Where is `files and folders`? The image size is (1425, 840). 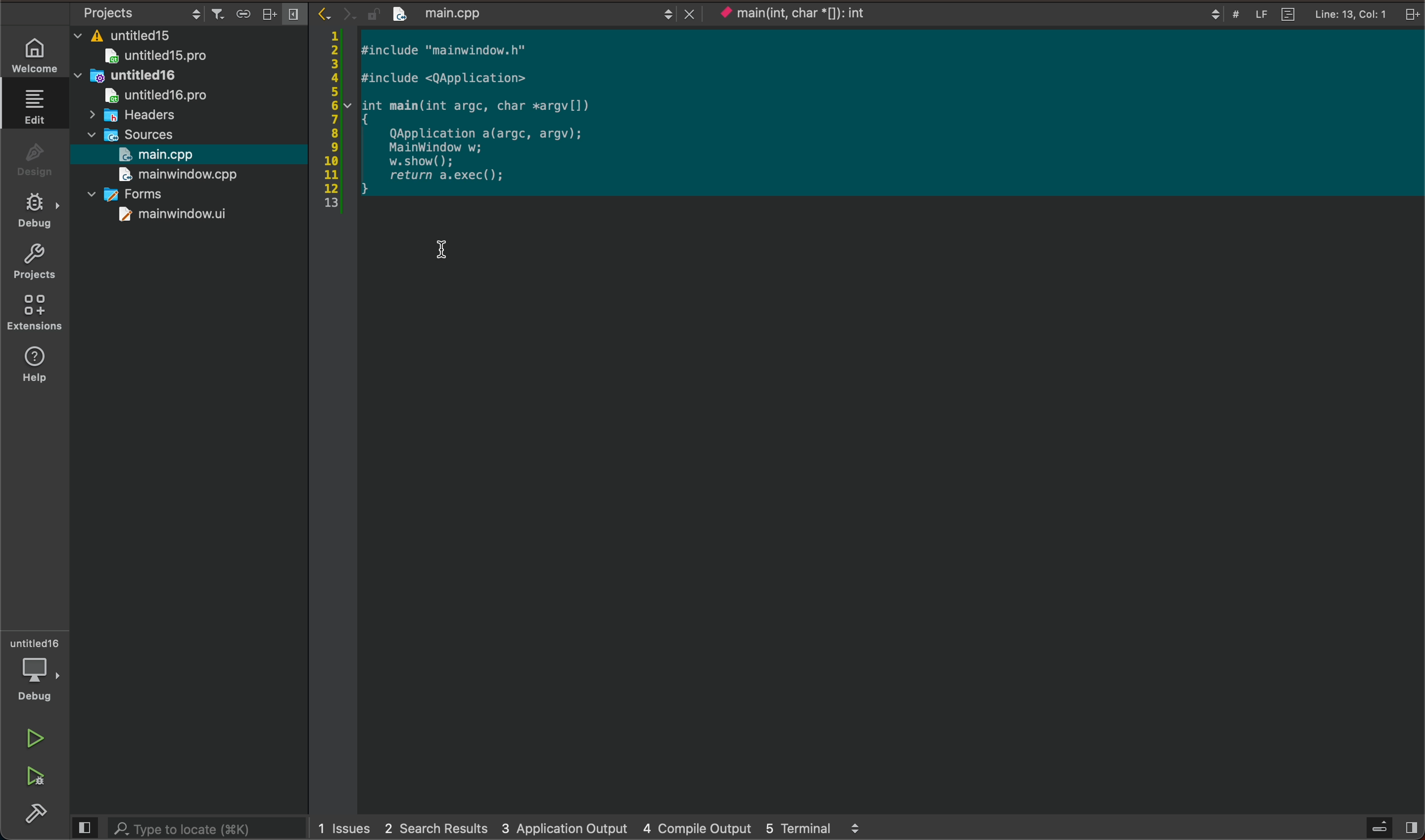
files and folders is located at coordinates (192, 33).